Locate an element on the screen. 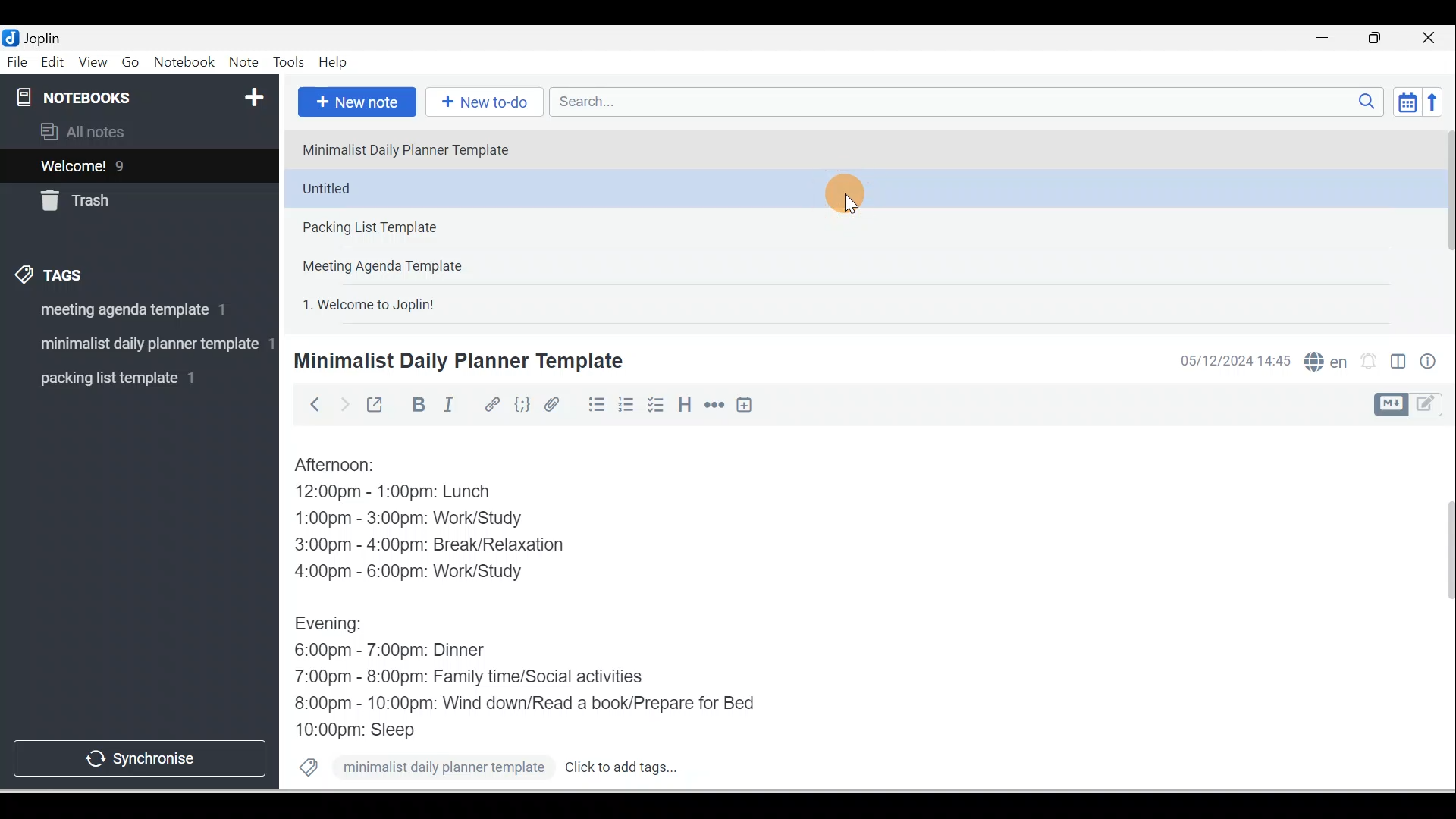 This screenshot has height=819, width=1456. Numbered list is located at coordinates (626, 404).